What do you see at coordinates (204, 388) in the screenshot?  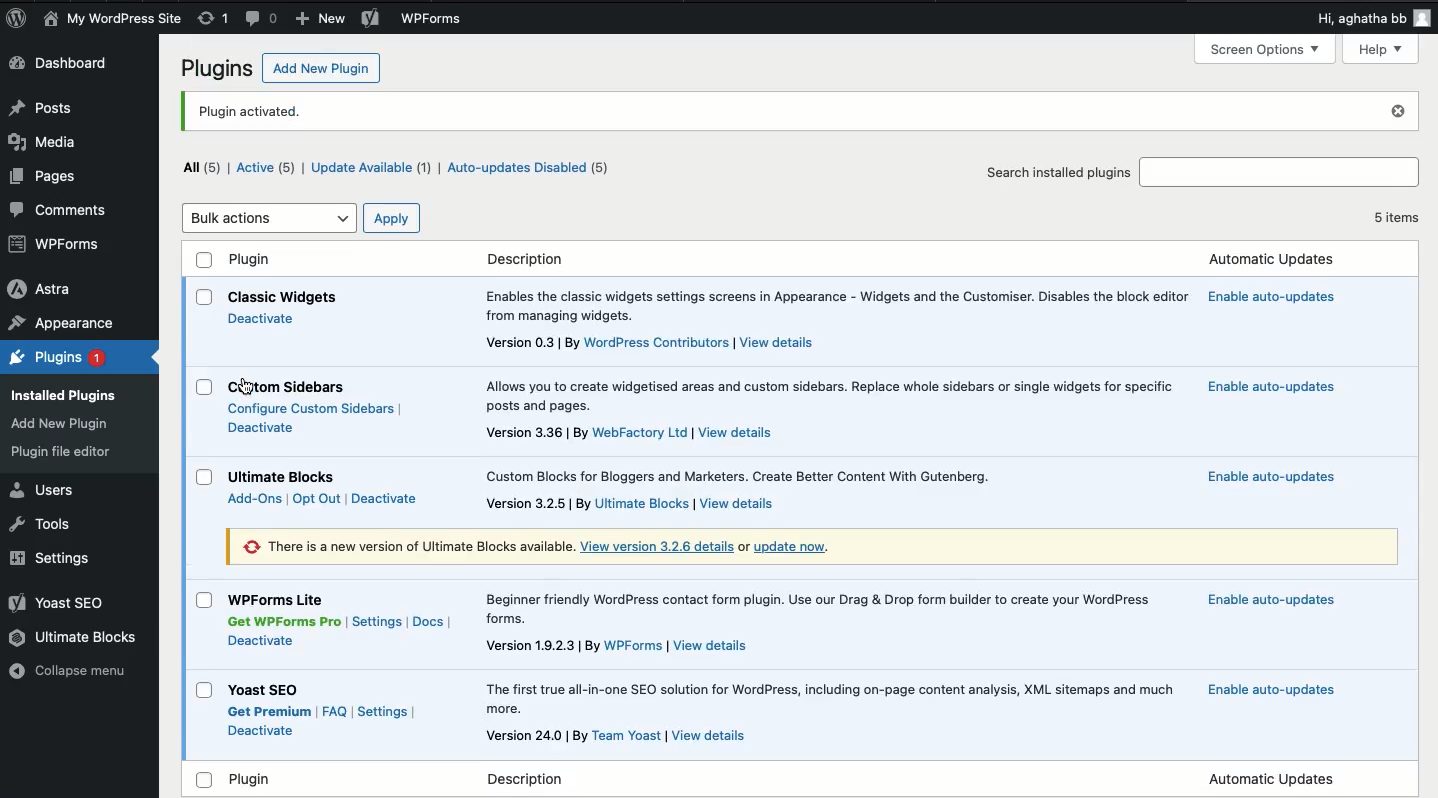 I see `checkbox` at bounding box center [204, 388].